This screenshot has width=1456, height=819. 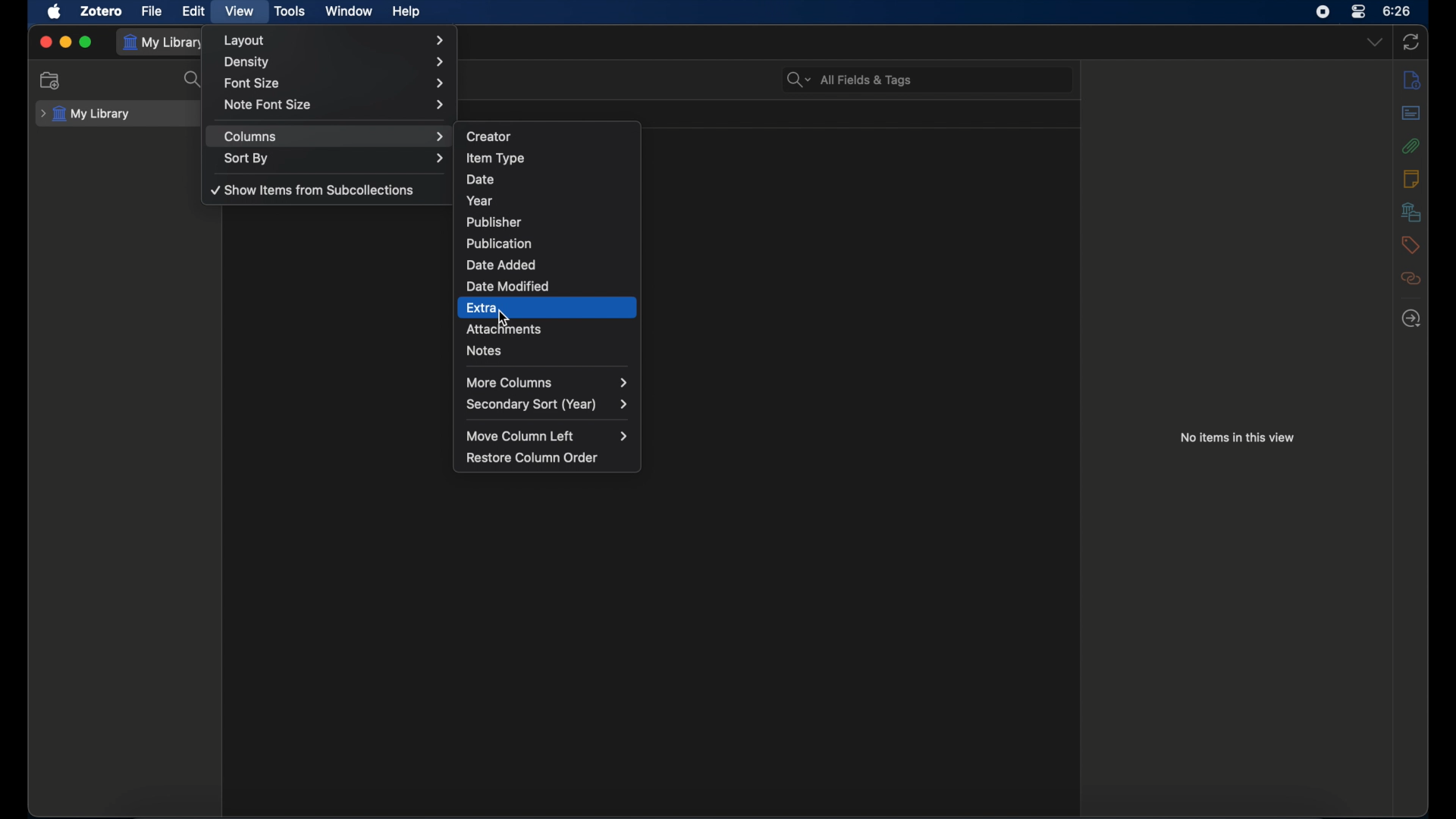 What do you see at coordinates (336, 62) in the screenshot?
I see `density` at bounding box center [336, 62].